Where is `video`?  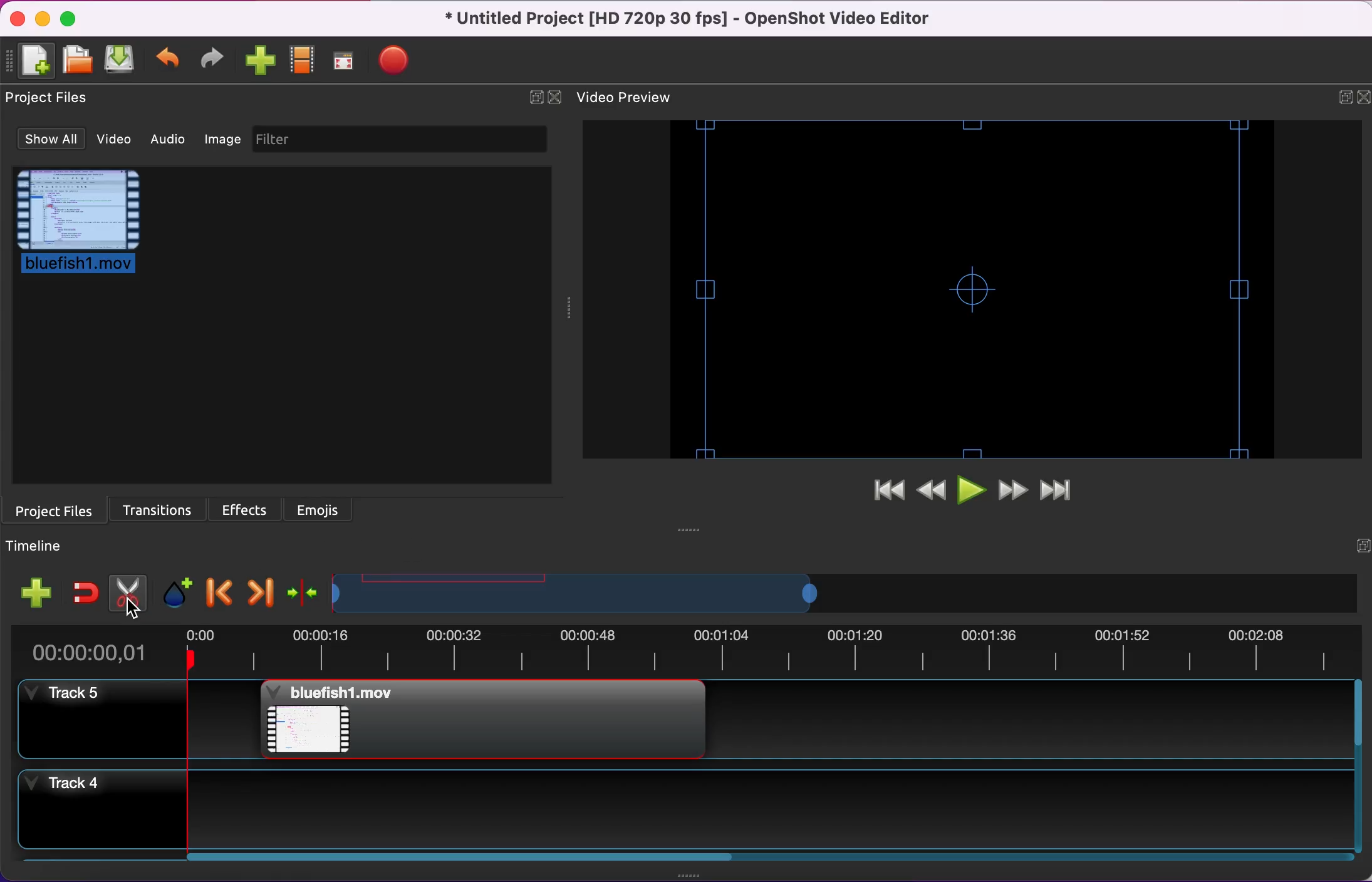
video is located at coordinates (112, 140).